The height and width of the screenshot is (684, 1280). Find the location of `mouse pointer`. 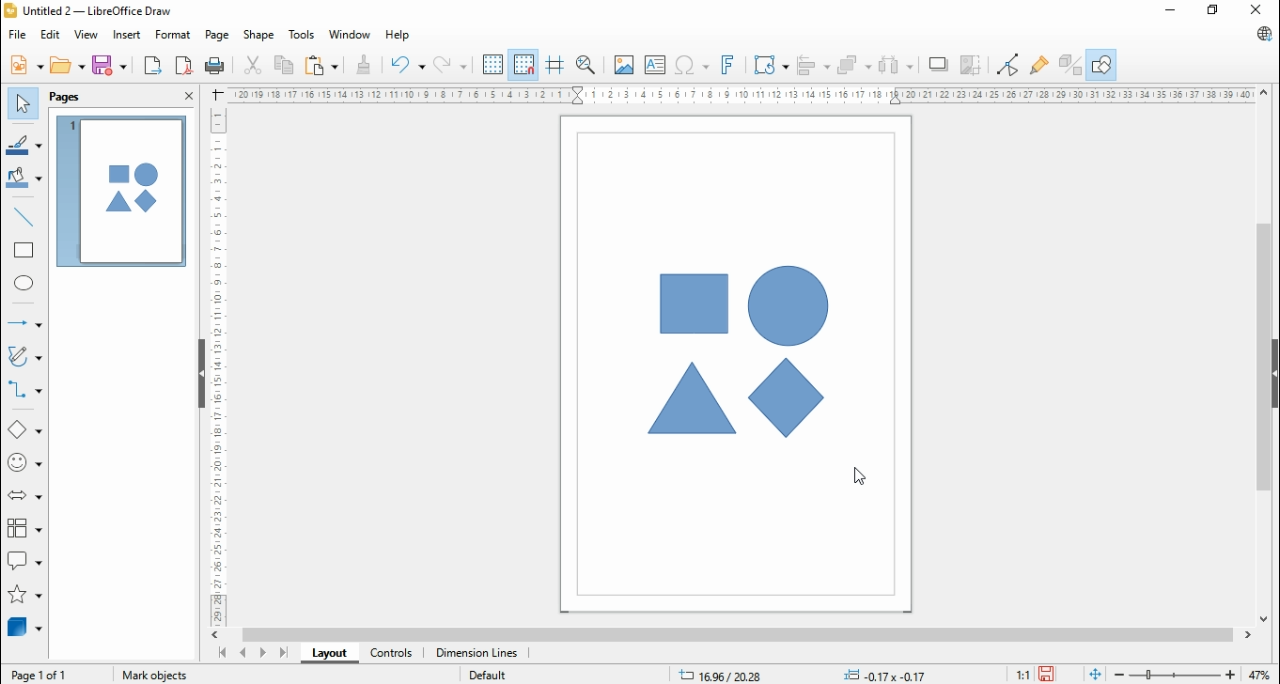

mouse pointer is located at coordinates (858, 478).